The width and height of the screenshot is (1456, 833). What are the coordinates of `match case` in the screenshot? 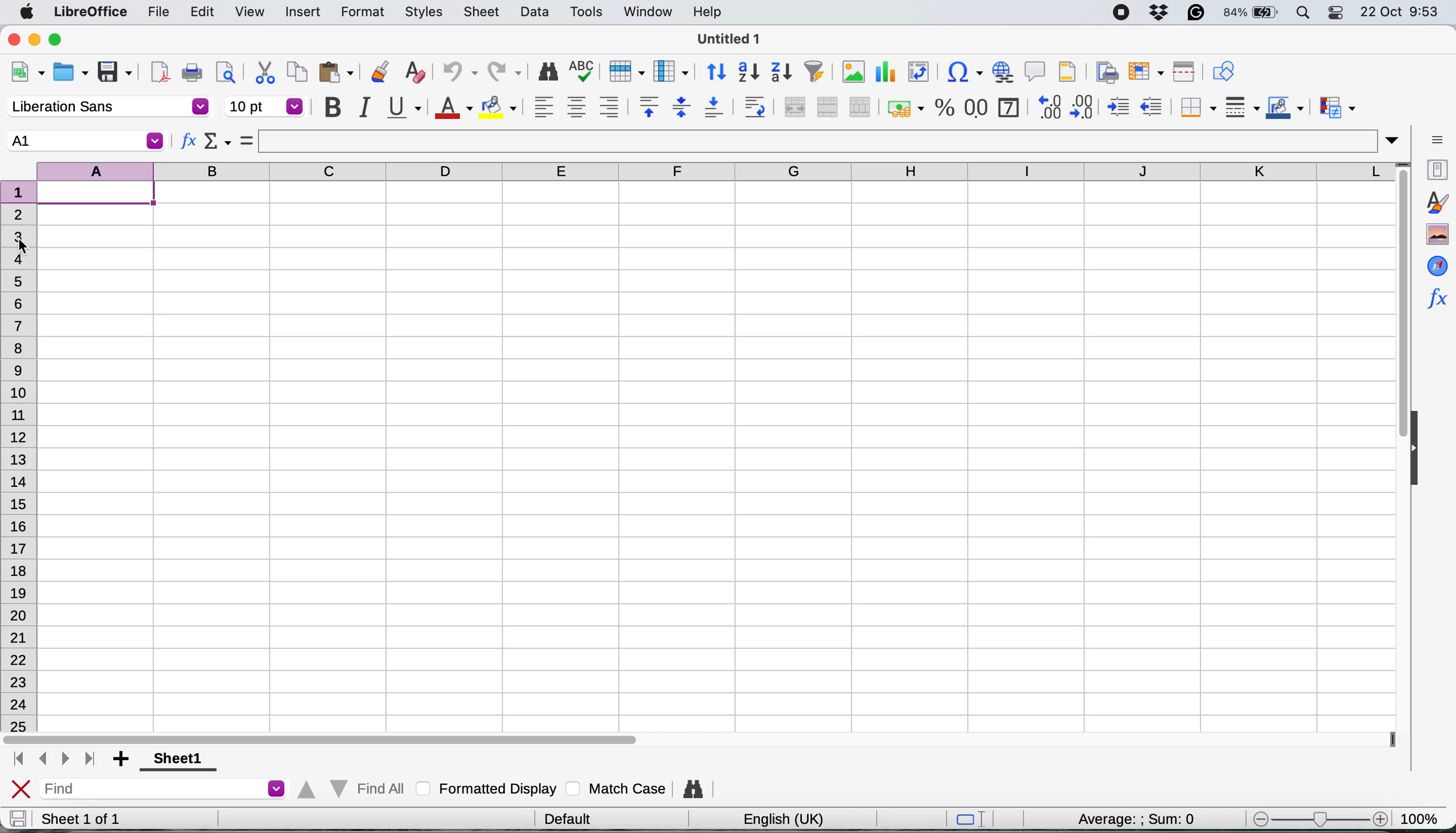 It's located at (616, 788).